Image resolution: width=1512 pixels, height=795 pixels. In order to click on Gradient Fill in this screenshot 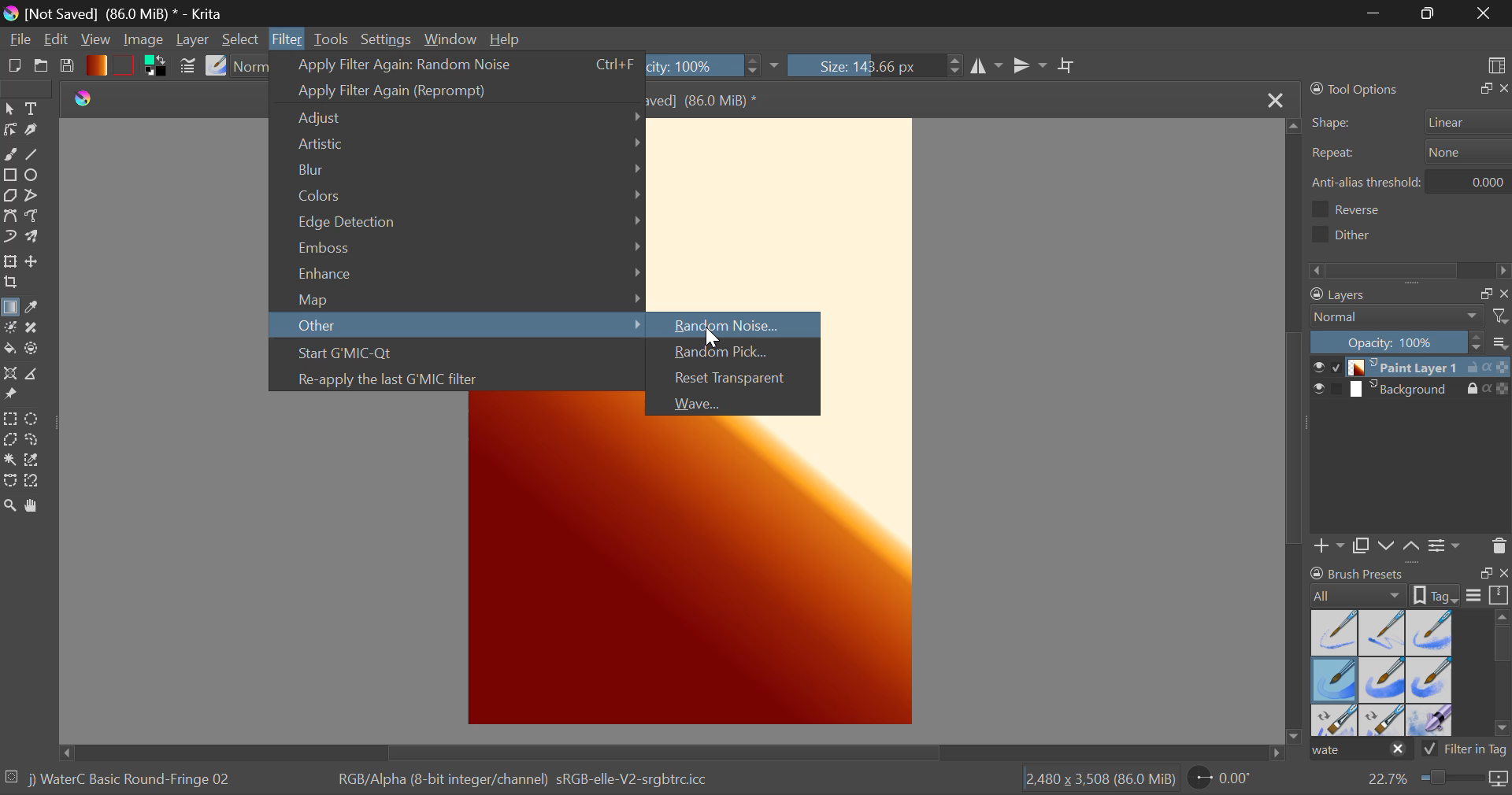, I will do `click(11, 309)`.